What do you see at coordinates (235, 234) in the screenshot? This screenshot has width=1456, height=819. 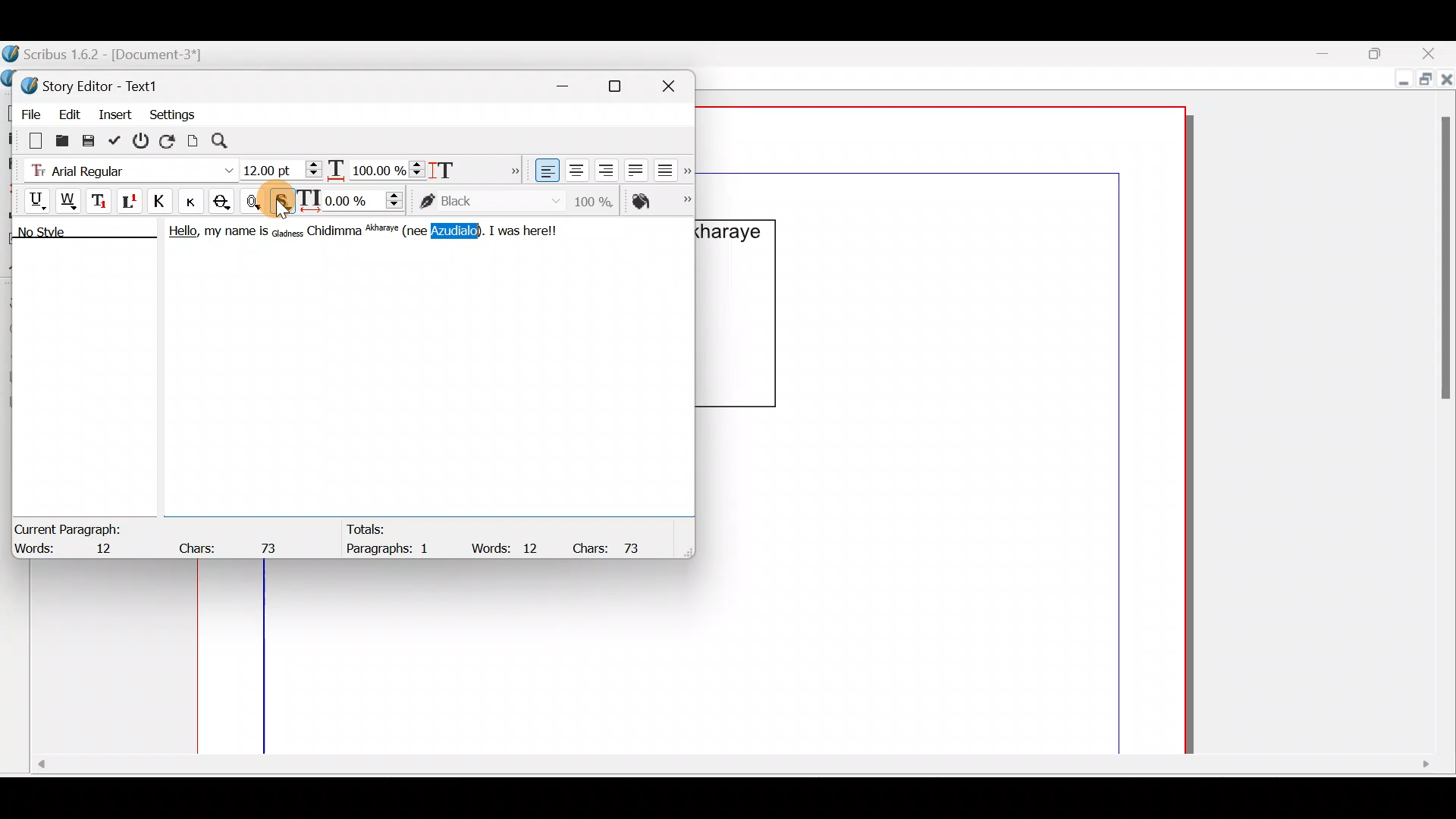 I see `my name is` at bounding box center [235, 234].